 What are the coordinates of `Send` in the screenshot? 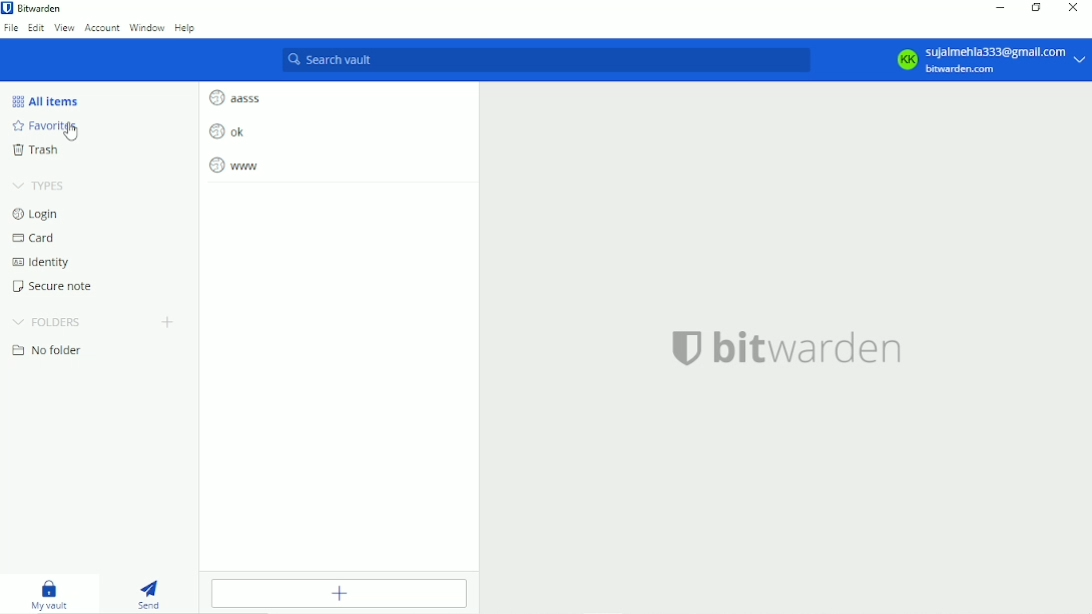 It's located at (150, 589).